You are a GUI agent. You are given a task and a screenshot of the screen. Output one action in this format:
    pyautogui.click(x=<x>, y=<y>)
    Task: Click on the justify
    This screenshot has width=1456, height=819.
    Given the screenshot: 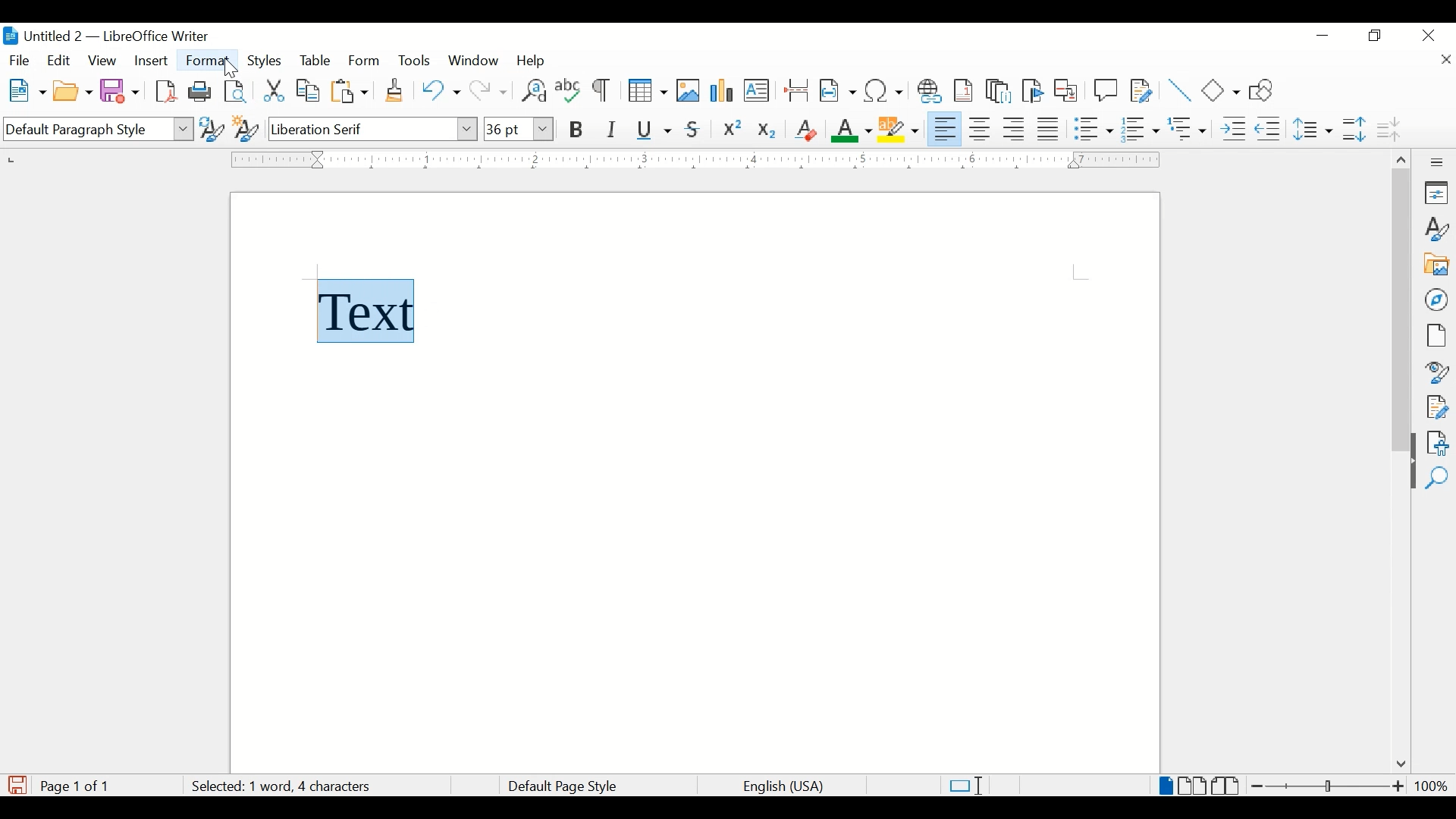 What is the action you would take?
    pyautogui.click(x=1049, y=129)
    